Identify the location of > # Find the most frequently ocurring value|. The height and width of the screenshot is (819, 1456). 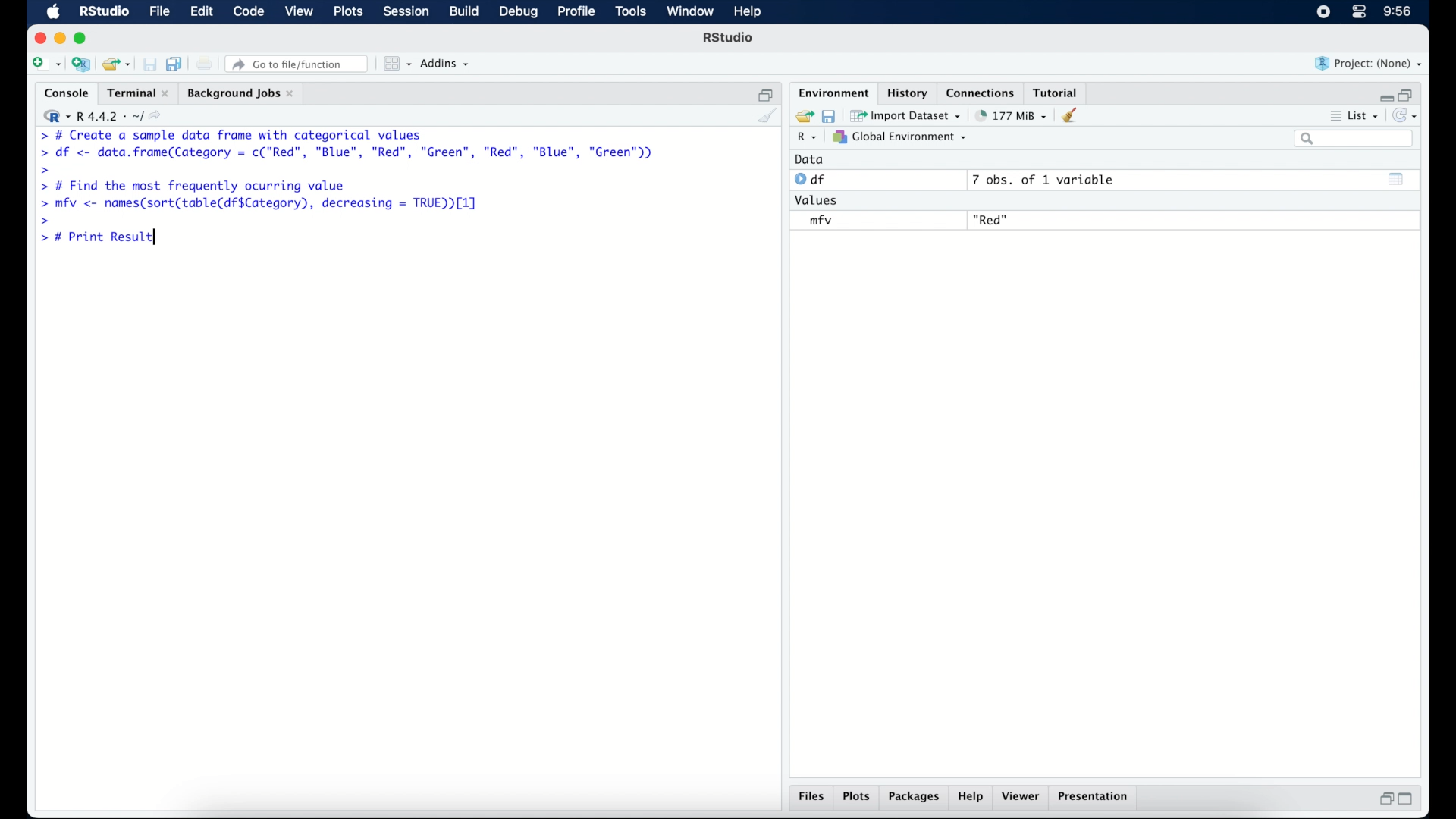
(202, 187).